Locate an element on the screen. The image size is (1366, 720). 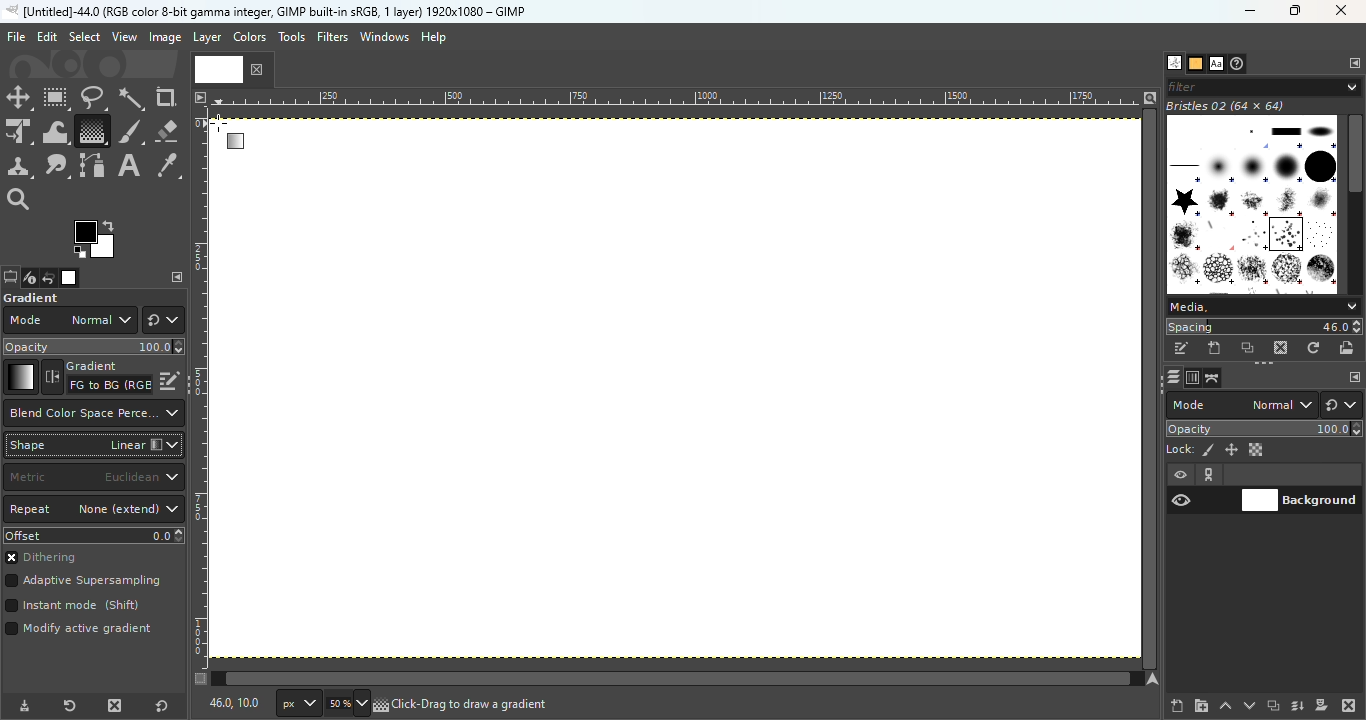
File is located at coordinates (16, 37).